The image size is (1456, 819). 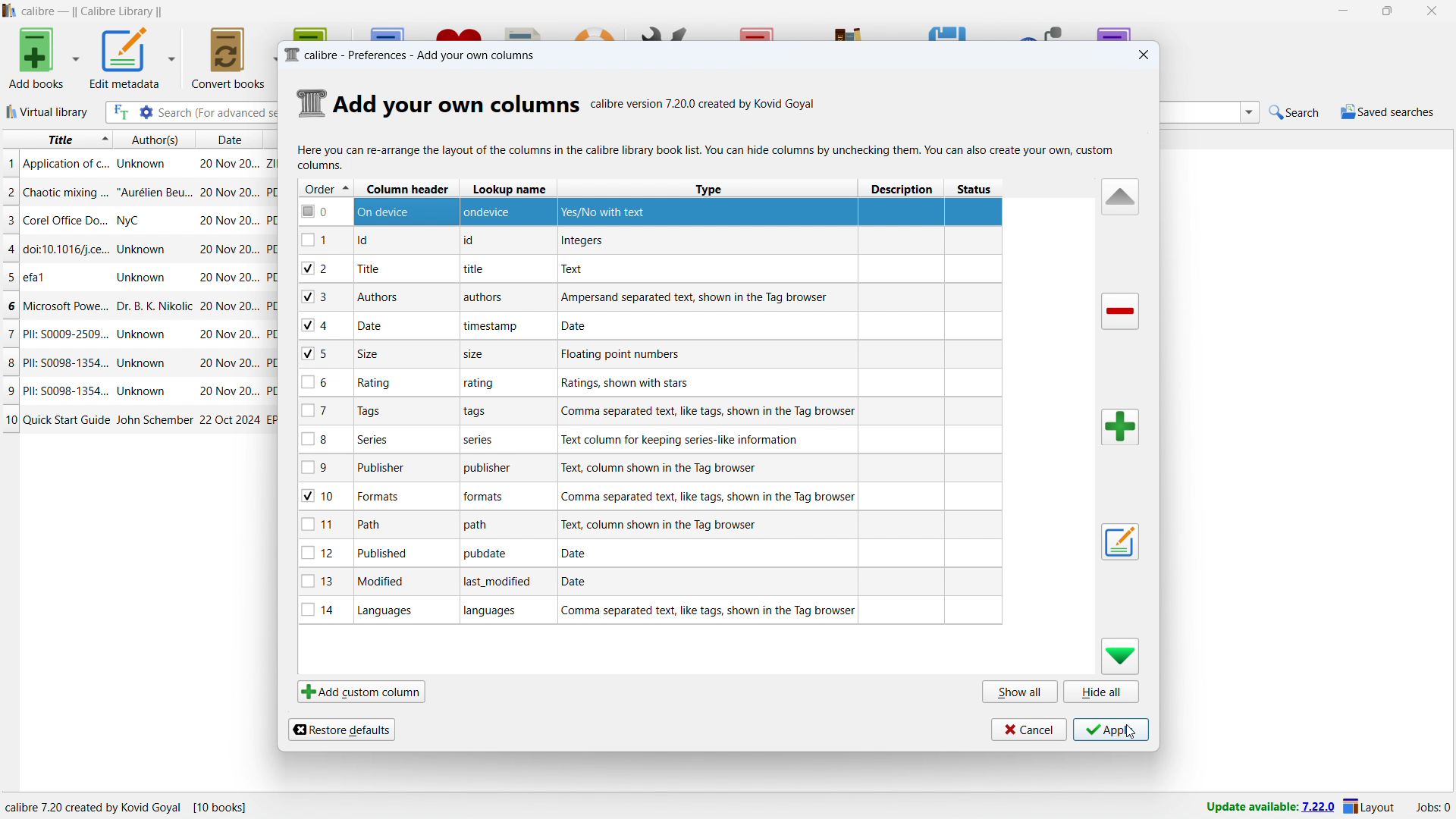 I want to click on status, so click(x=976, y=190).